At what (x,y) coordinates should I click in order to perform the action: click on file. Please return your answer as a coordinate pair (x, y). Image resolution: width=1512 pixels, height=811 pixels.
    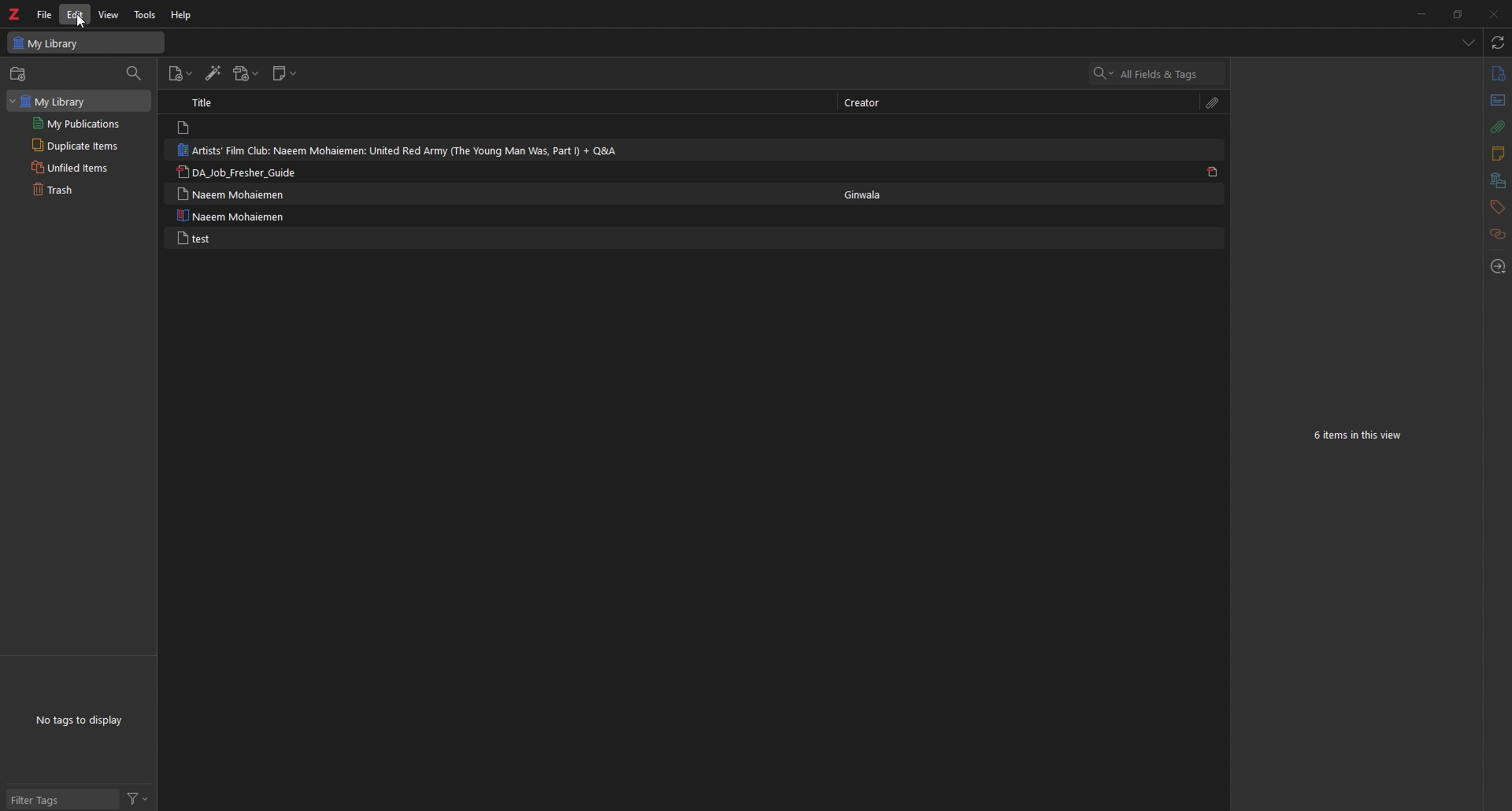
    Looking at the image, I should click on (44, 14).